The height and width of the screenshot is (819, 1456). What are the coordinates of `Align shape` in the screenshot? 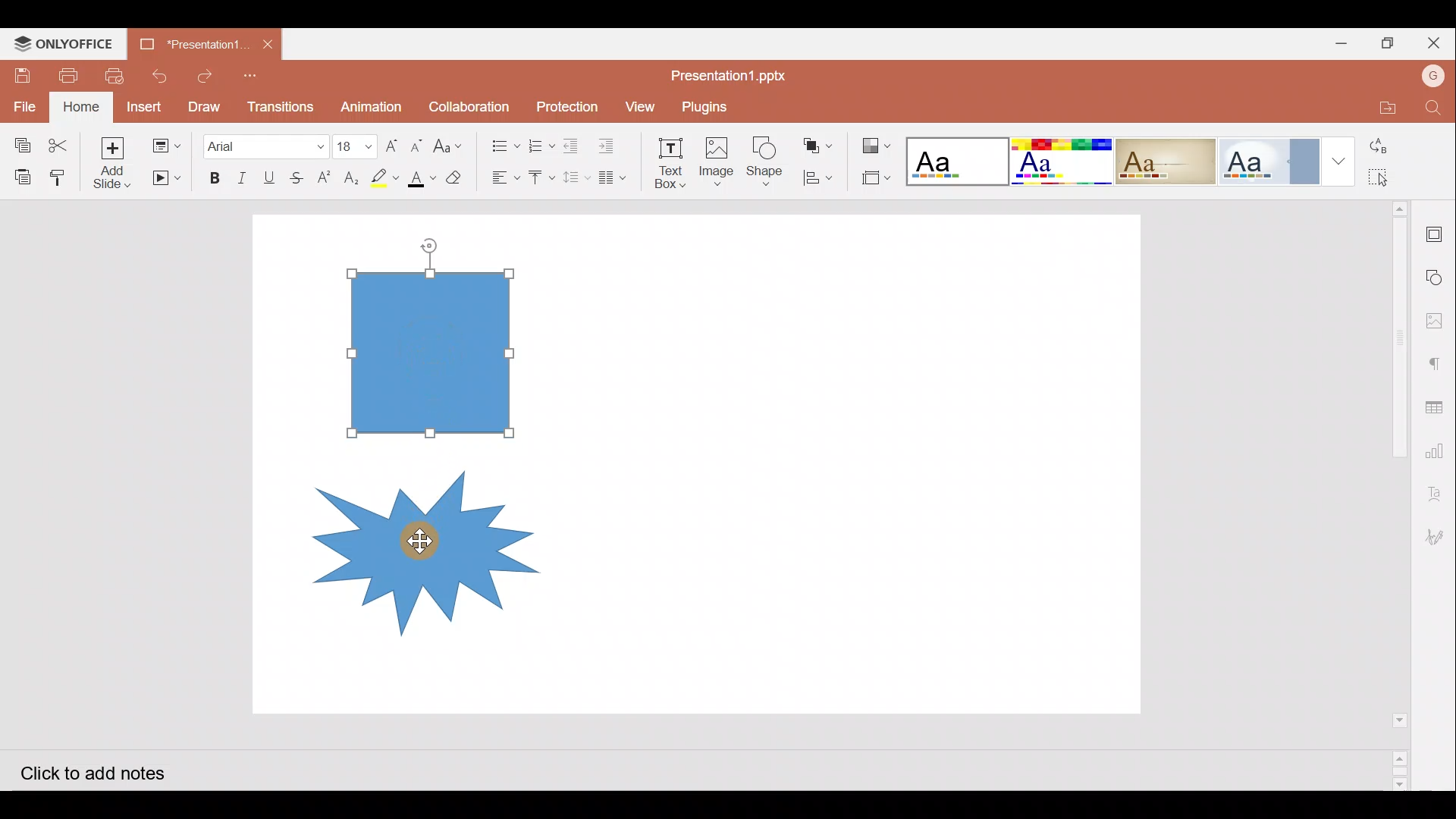 It's located at (821, 177).